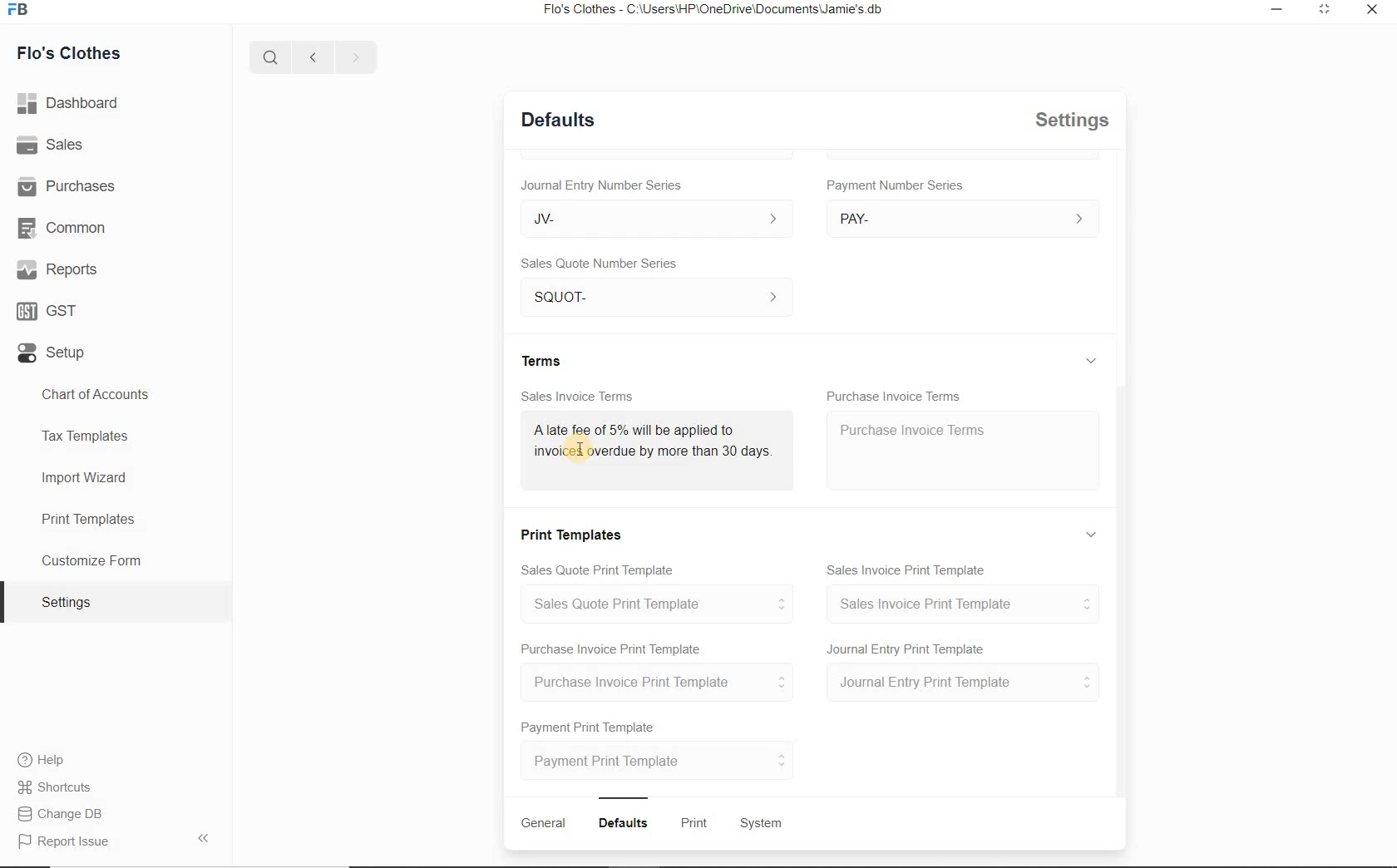  Describe the element at coordinates (72, 105) in the screenshot. I see `Dashboard` at that location.